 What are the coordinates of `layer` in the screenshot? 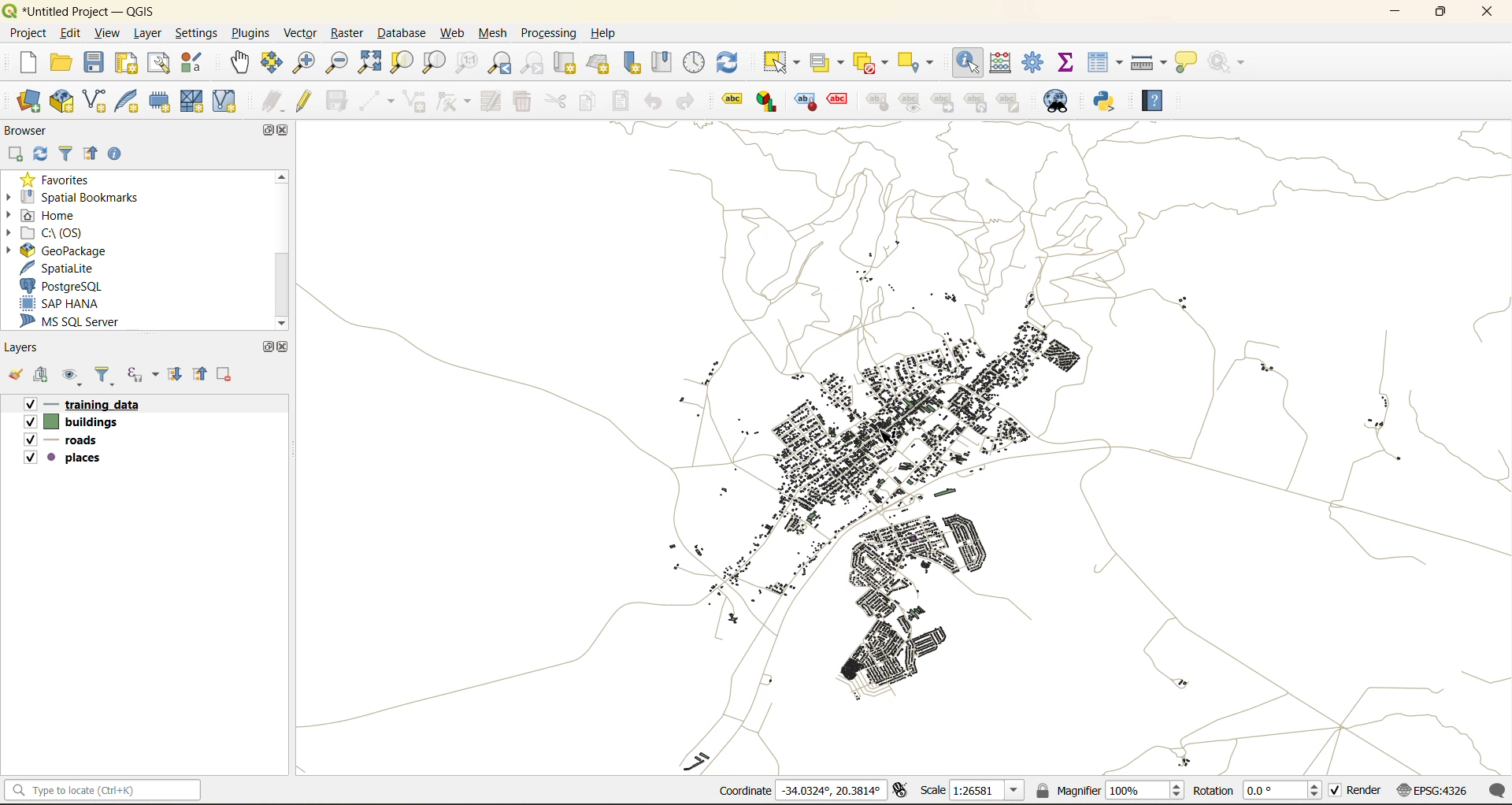 It's located at (151, 34).